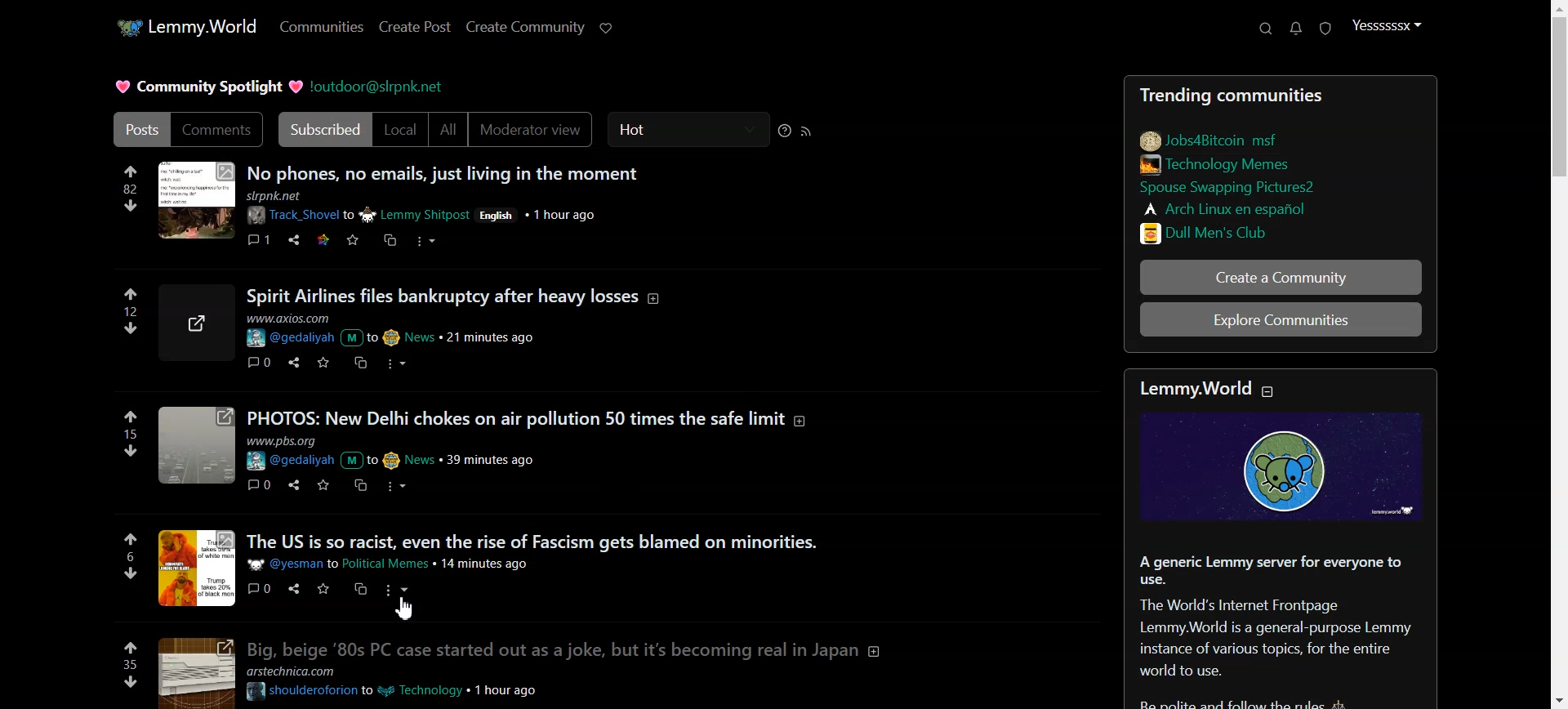  Describe the element at coordinates (184, 25) in the screenshot. I see `Home page` at that location.